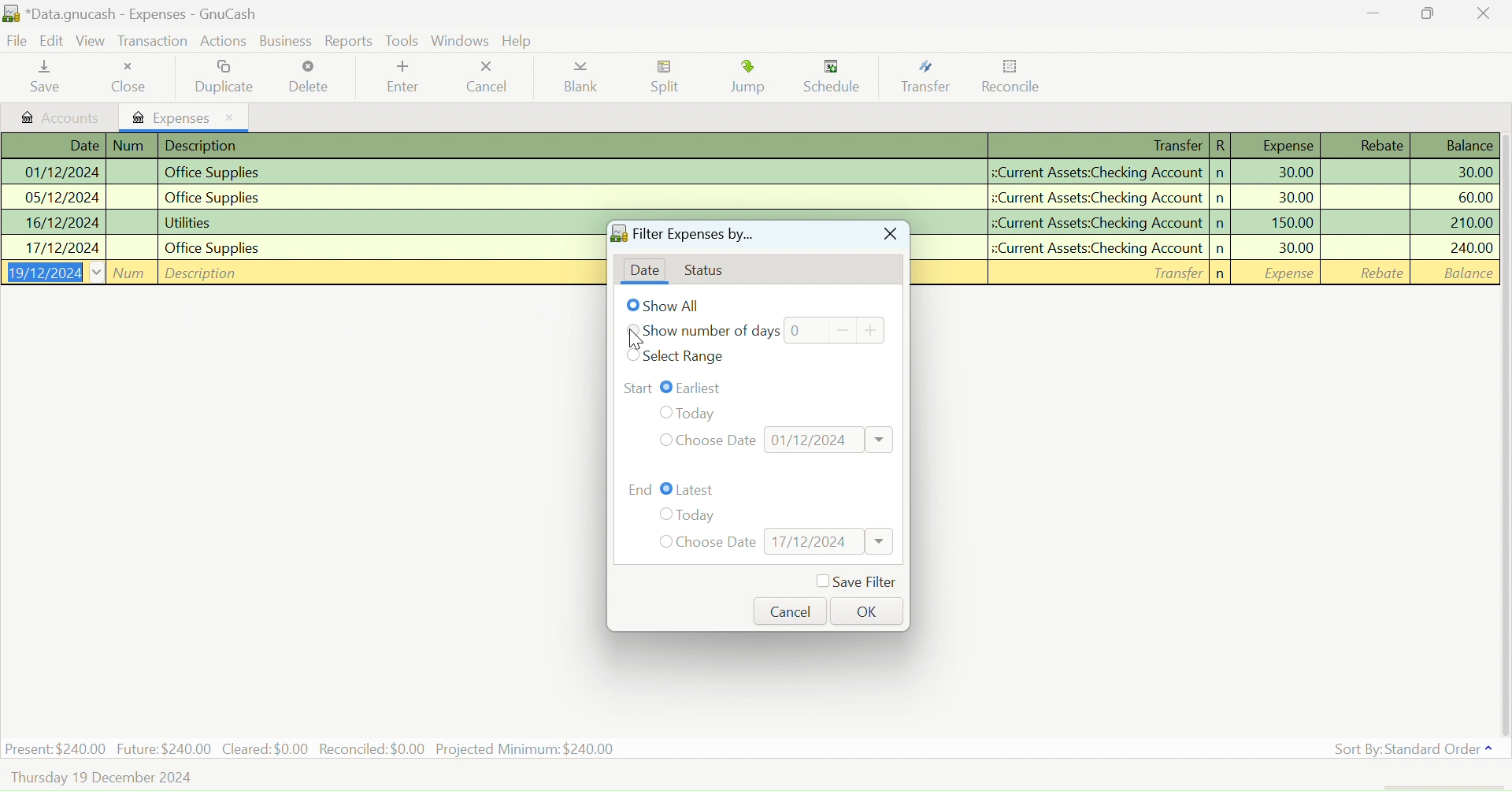  What do you see at coordinates (133, 15) in the screenshot?
I see `*Data.gnucash - Accounts - GnuCash` at bounding box center [133, 15].